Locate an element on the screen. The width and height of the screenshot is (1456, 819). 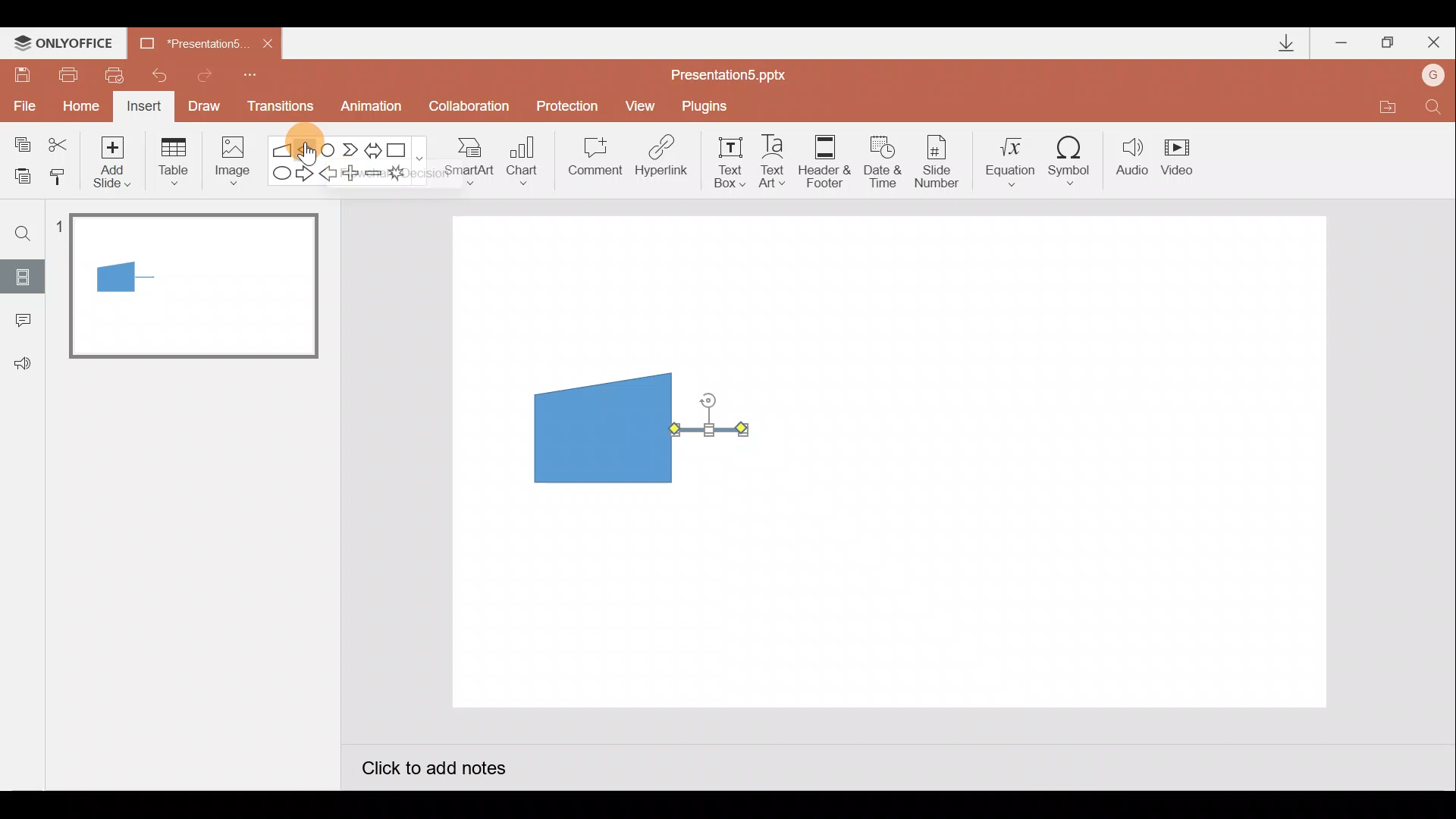
Date & time is located at coordinates (881, 158).